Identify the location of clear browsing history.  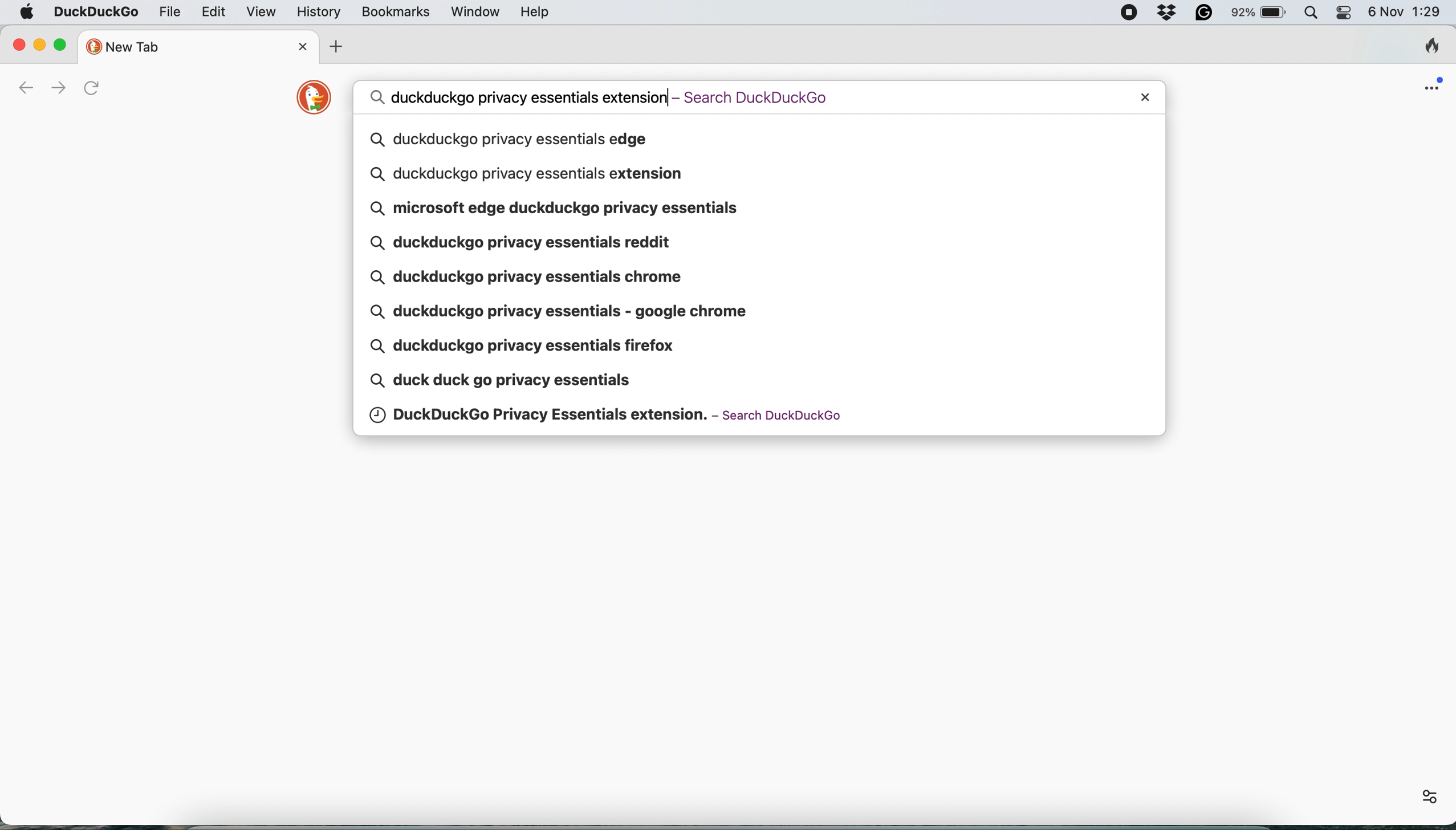
(1433, 44).